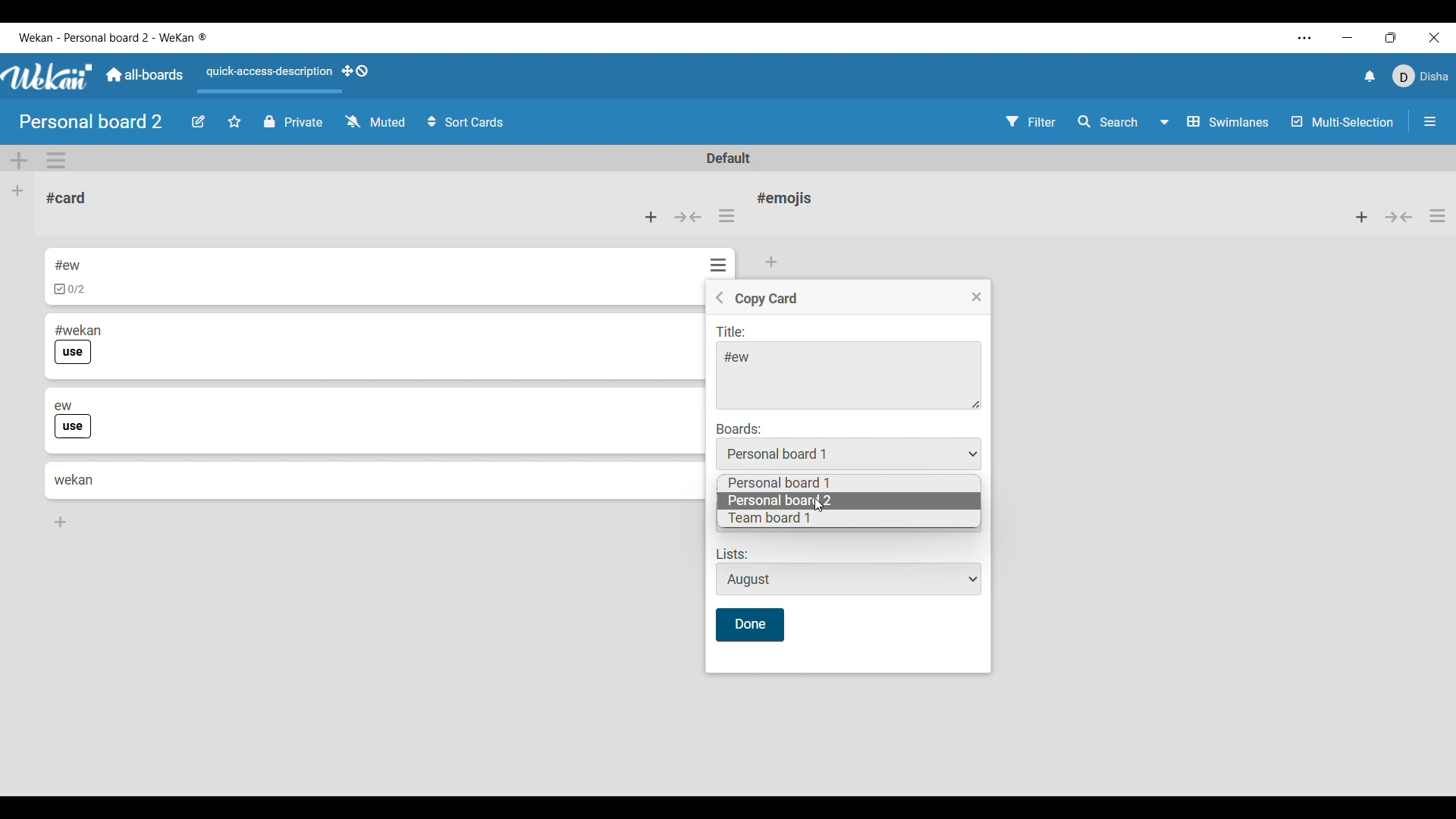  What do you see at coordinates (730, 158) in the screenshot?
I see `Default swimlane` at bounding box center [730, 158].